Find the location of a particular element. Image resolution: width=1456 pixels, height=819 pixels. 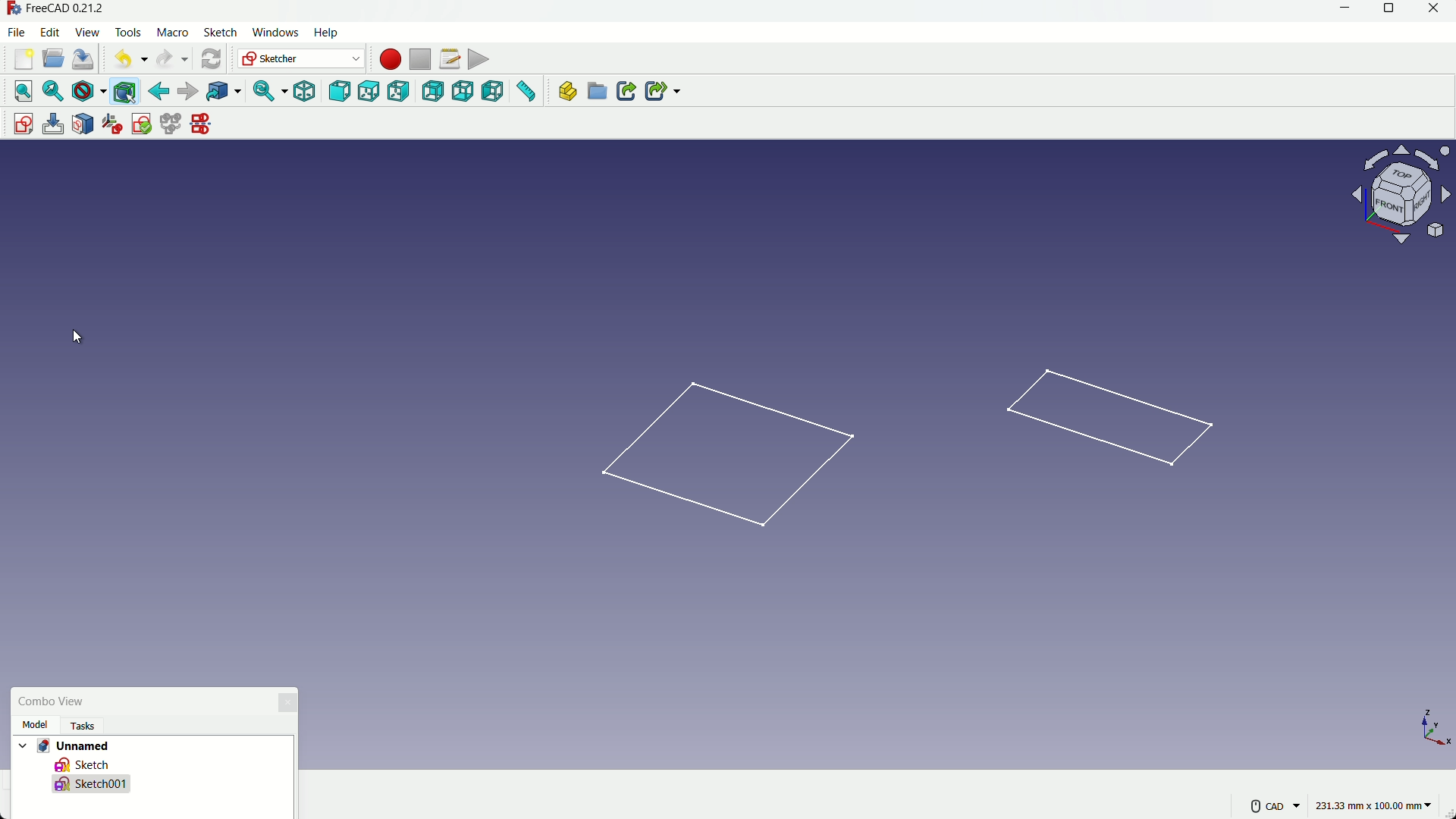

edit menu is located at coordinates (51, 31).